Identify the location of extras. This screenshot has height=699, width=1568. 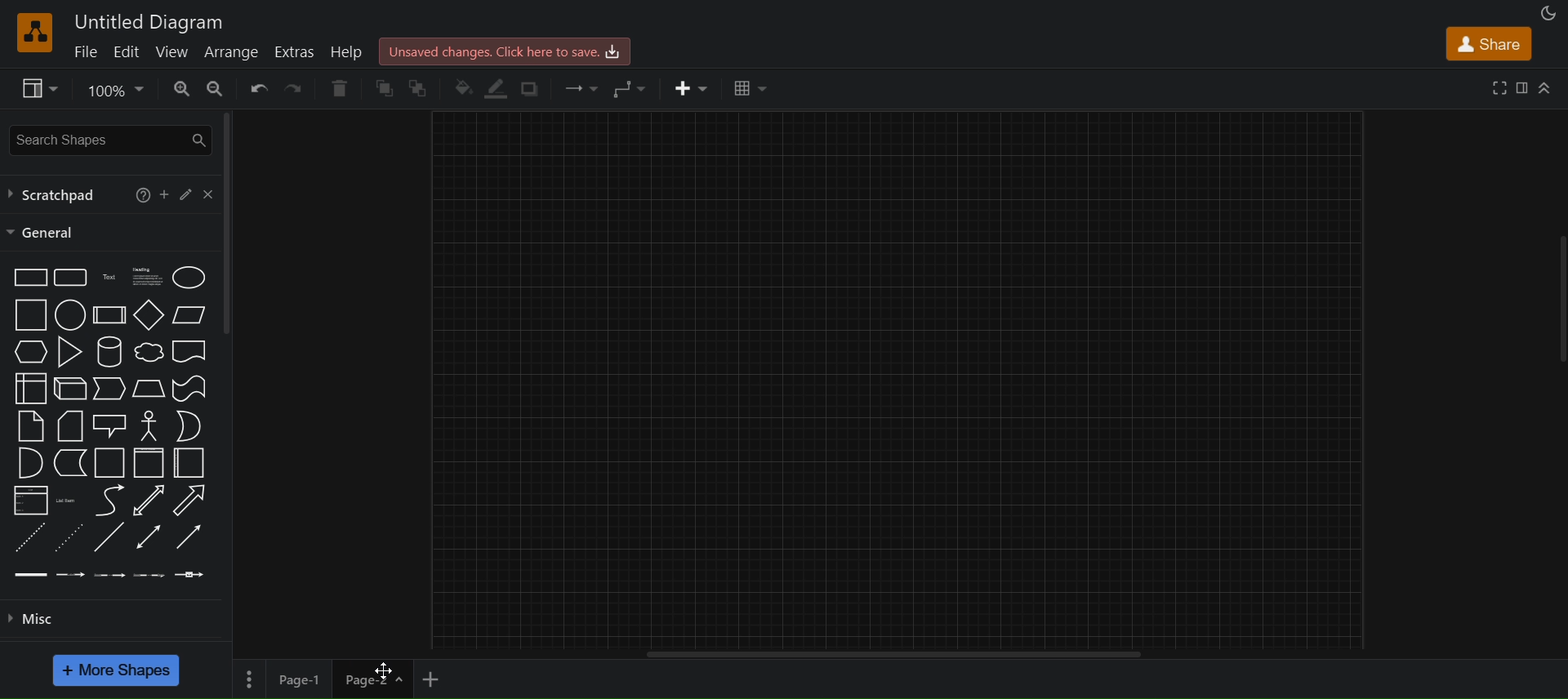
(295, 52).